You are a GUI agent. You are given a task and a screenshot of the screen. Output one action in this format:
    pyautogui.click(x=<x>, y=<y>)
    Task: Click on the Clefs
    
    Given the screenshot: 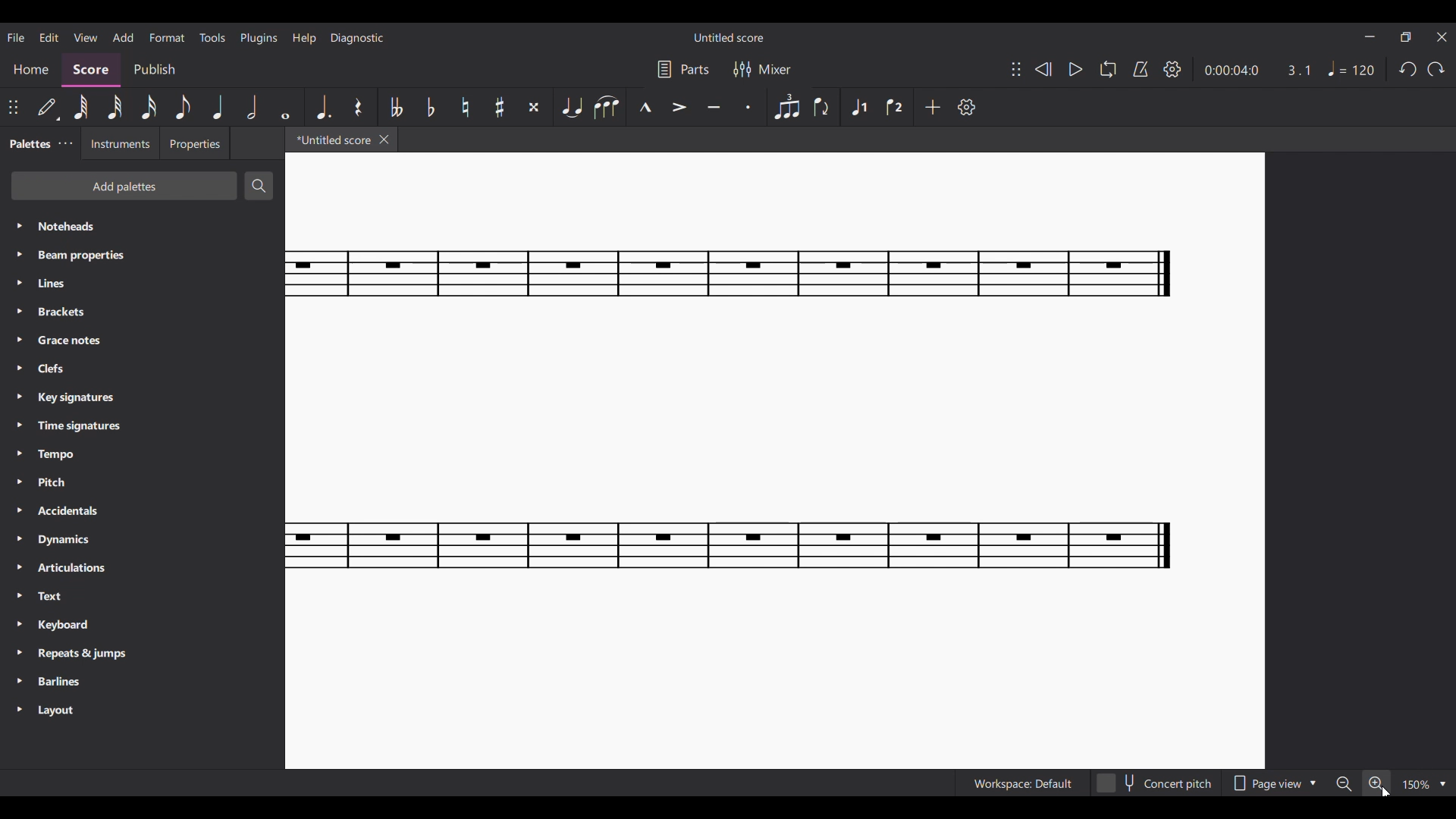 What is the action you would take?
    pyautogui.click(x=142, y=369)
    